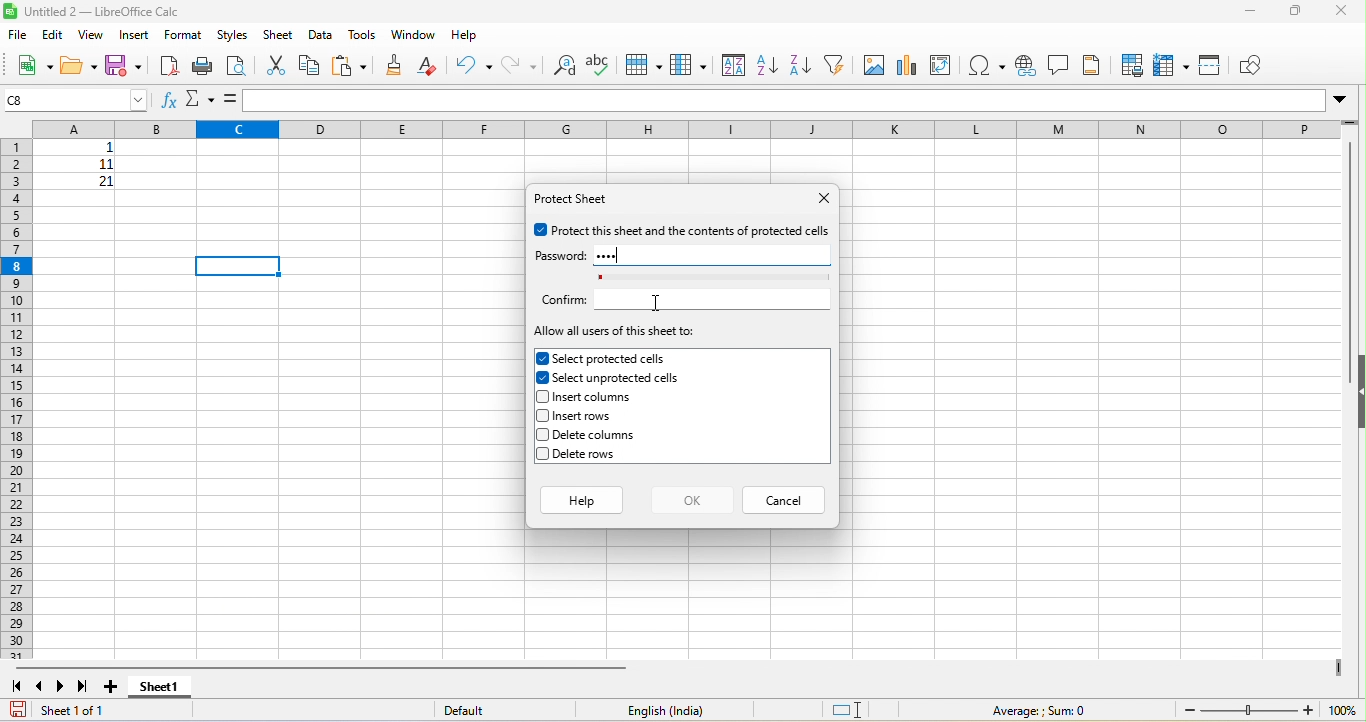 The width and height of the screenshot is (1366, 722). What do you see at coordinates (16, 37) in the screenshot?
I see `file` at bounding box center [16, 37].